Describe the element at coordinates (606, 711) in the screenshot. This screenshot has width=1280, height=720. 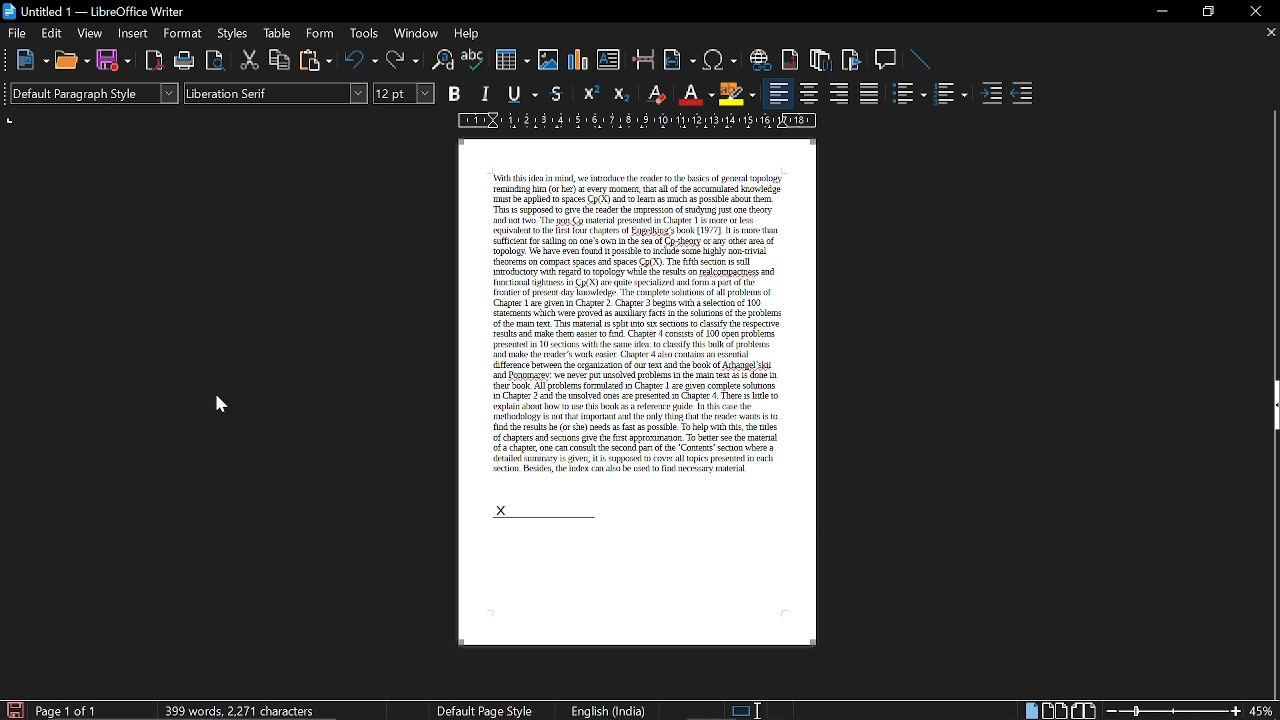
I see `current language: english` at that location.